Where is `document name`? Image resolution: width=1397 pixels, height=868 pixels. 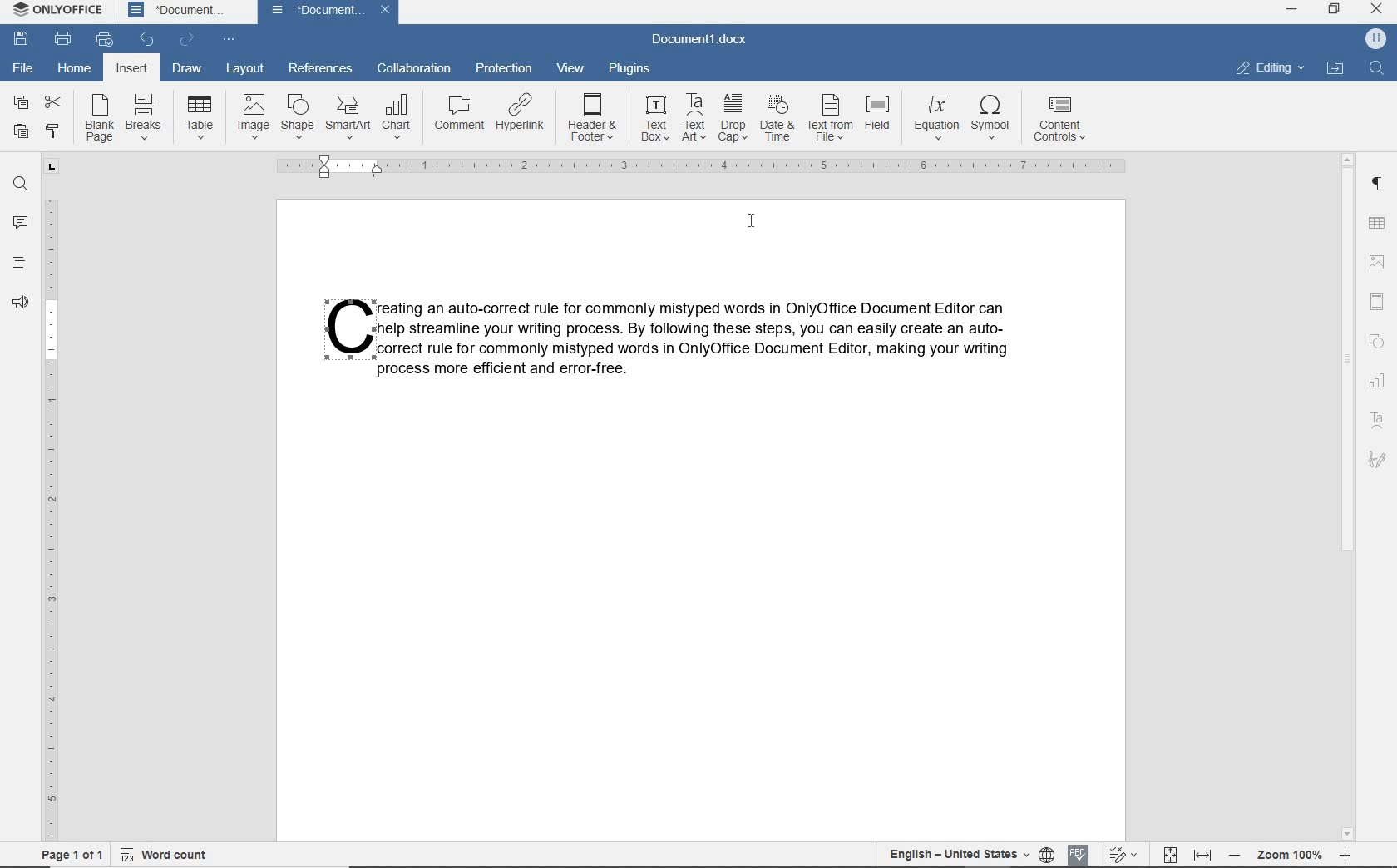 document name is located at coordinates (705, 40).